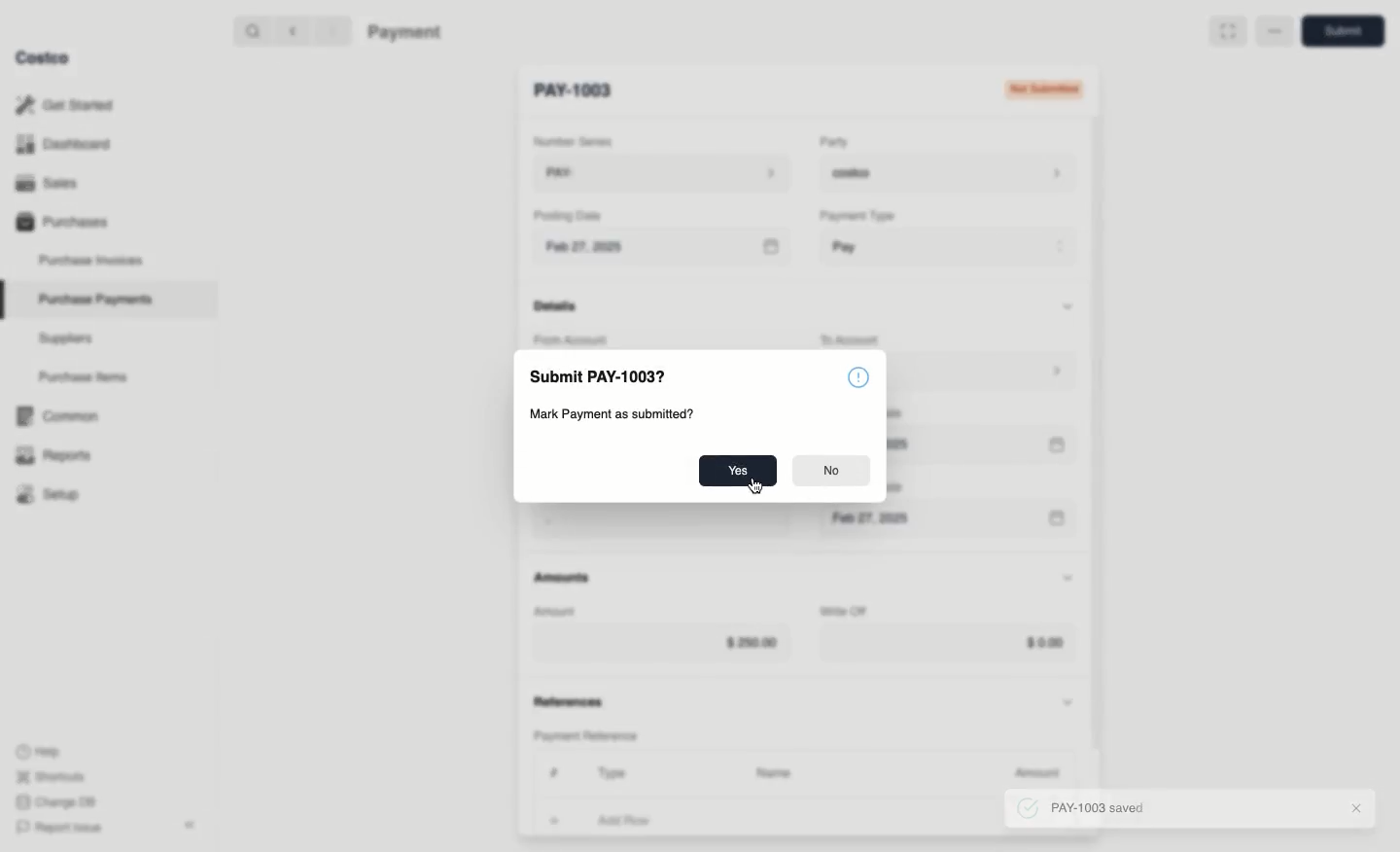 The image size is (1400, 852). I want to click on PAY-1003 saved, so click(1100, 809).